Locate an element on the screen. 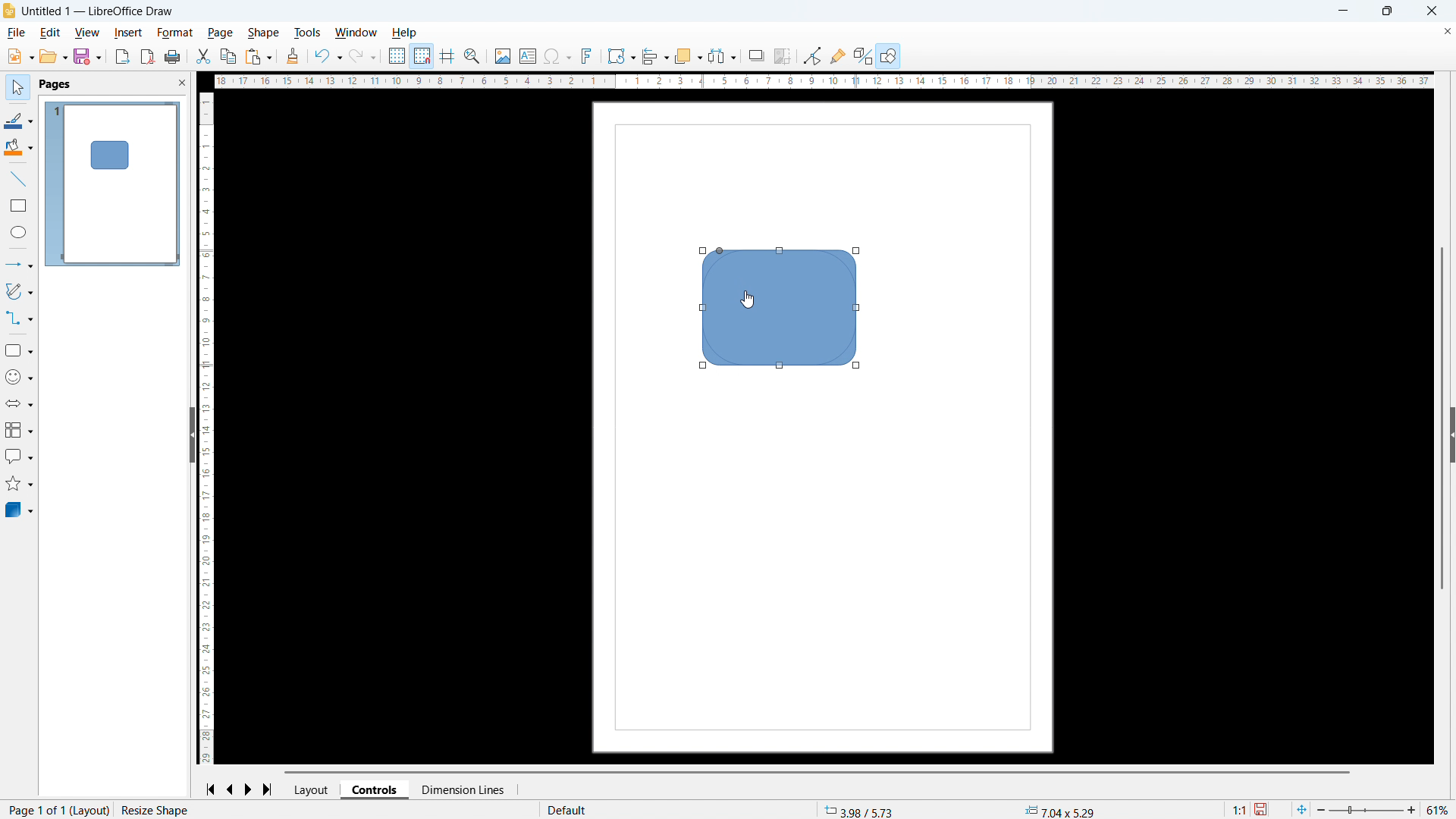  Horizontal ruler  is located at coordinates (819, 81).